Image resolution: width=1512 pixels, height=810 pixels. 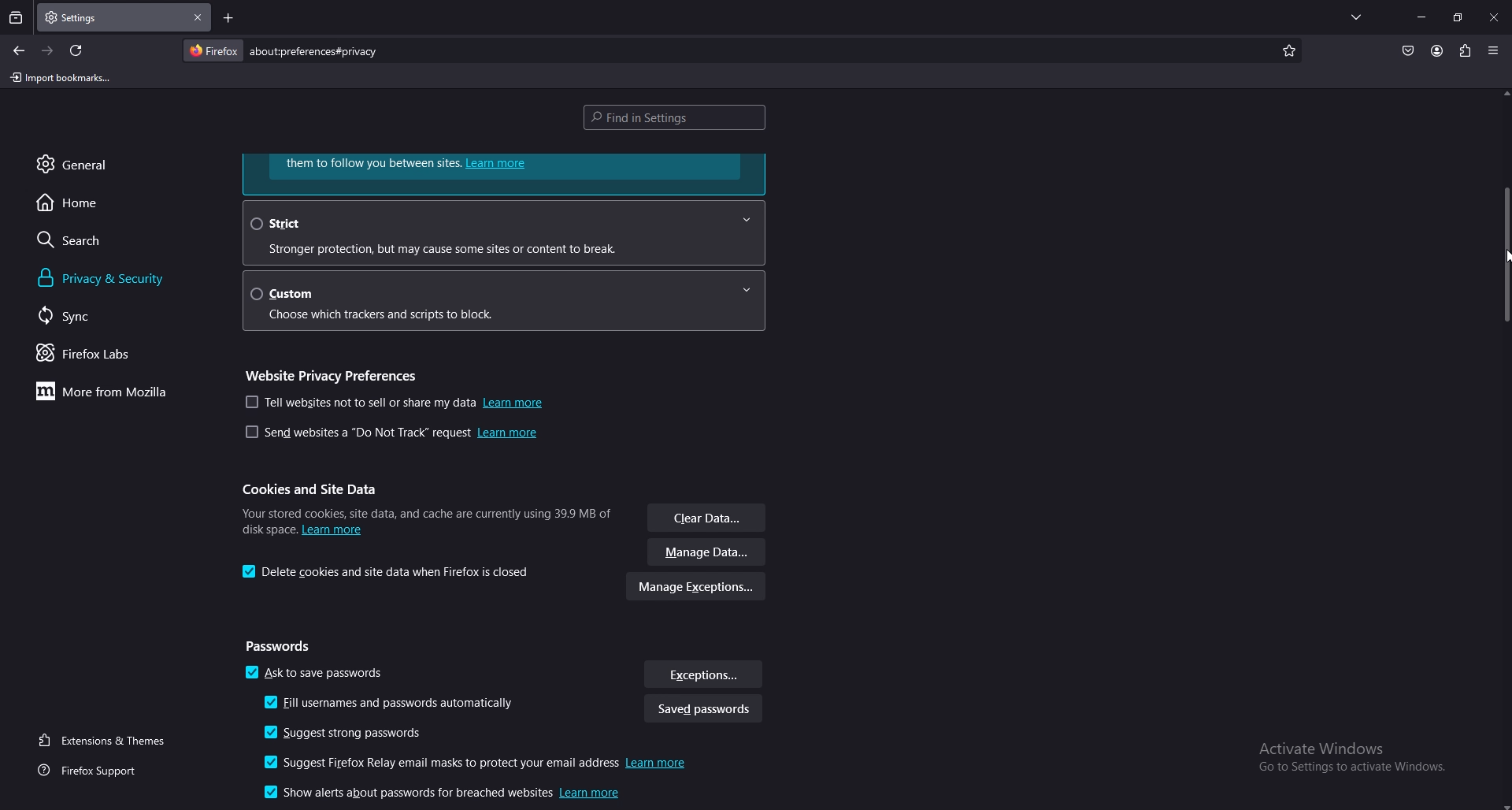 What do you see at coordinates (82, 18) in the screenshot?
I see `tab` at bounding box center [82, 18].